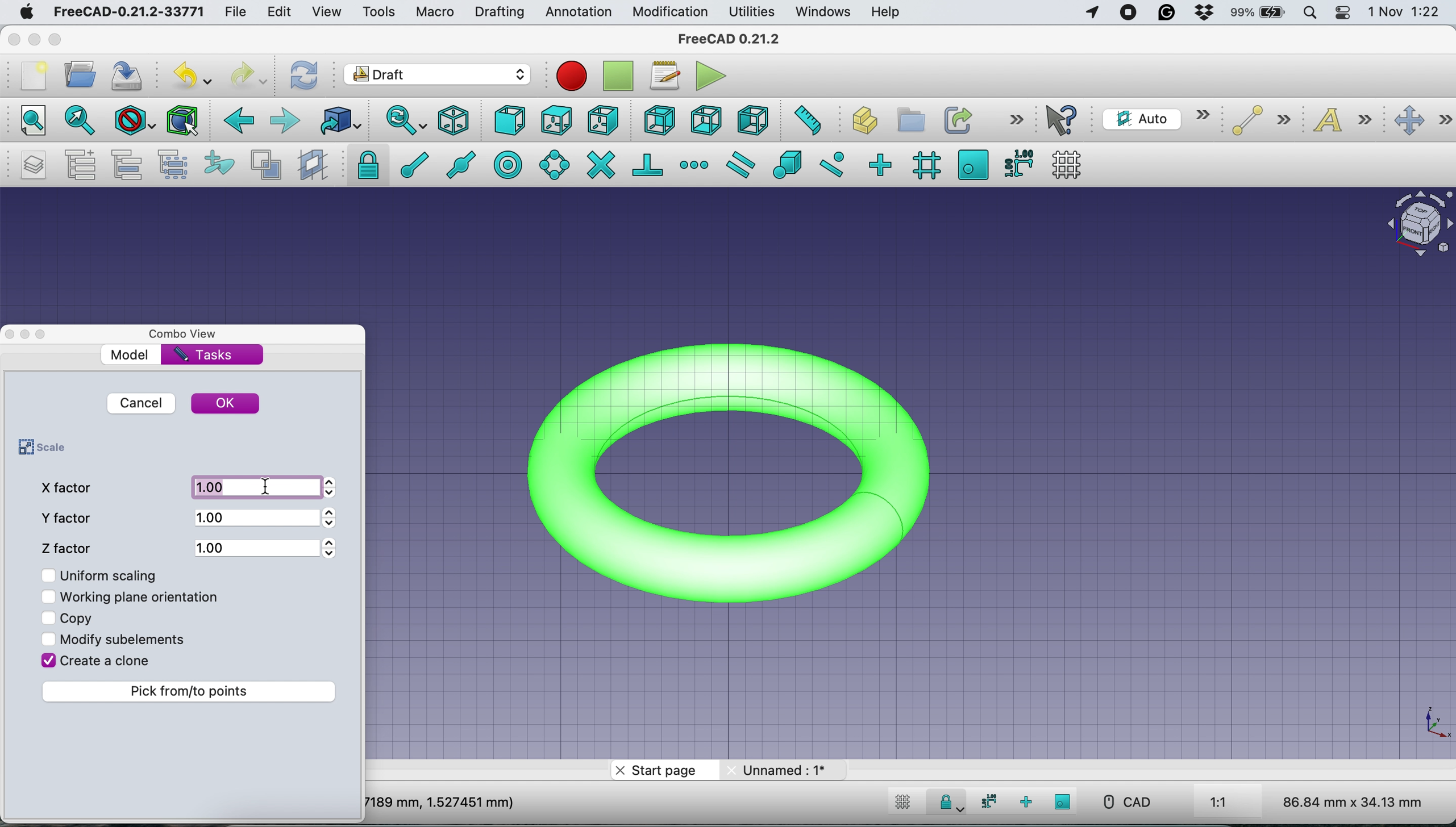 Image resolution: width=1456 pixels, height=827 pixels. I want to click on snap dimensions, so click(987, 801).